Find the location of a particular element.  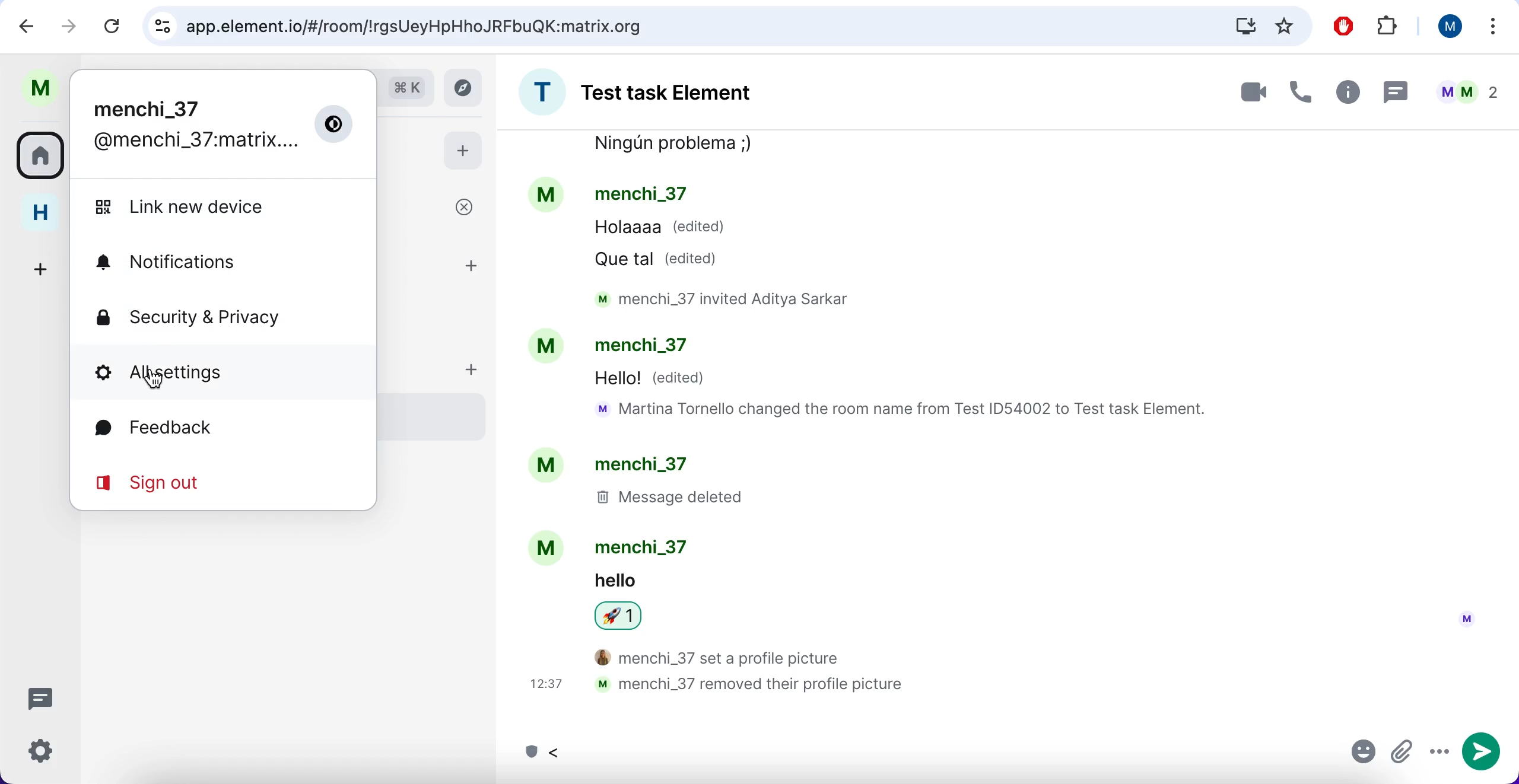

 is located at coordinates (914, 757).